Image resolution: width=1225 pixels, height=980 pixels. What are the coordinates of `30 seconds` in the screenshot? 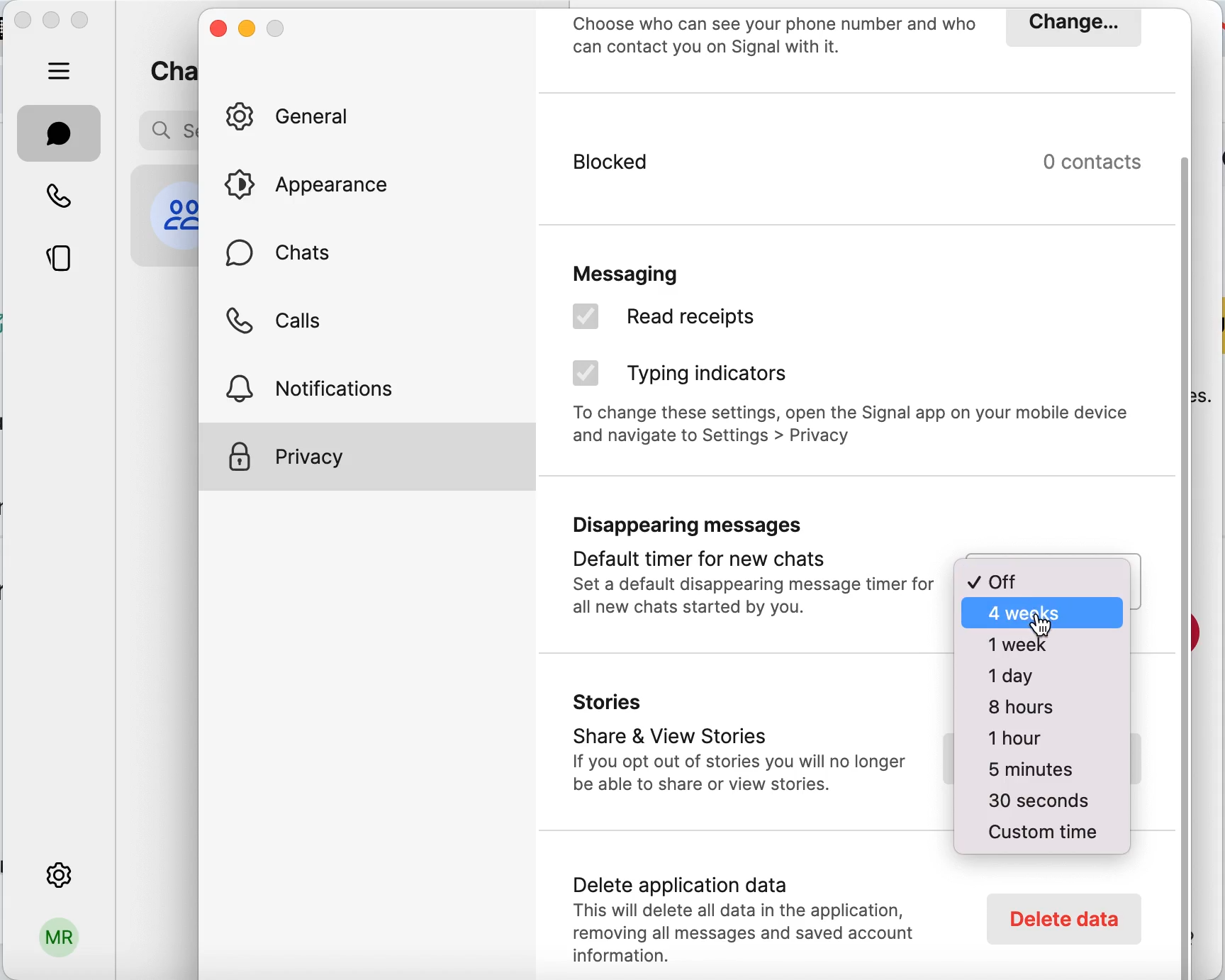 It's located at (1031, 801).